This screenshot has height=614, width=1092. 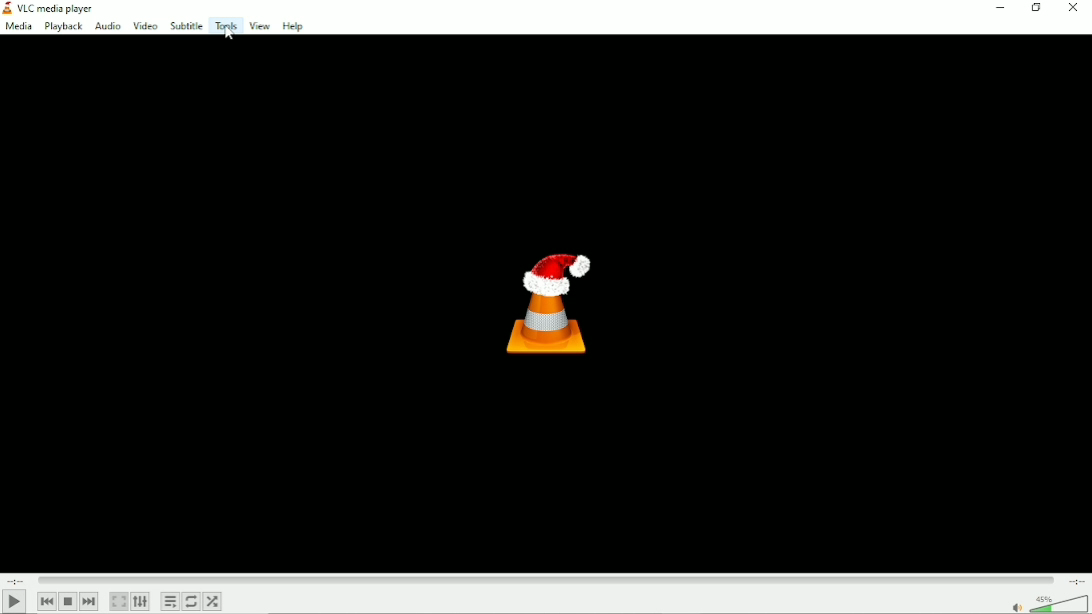 What do you see at coordinates (259, 26) in the screenshot?
I see `View` at bounding box center [259, 26].